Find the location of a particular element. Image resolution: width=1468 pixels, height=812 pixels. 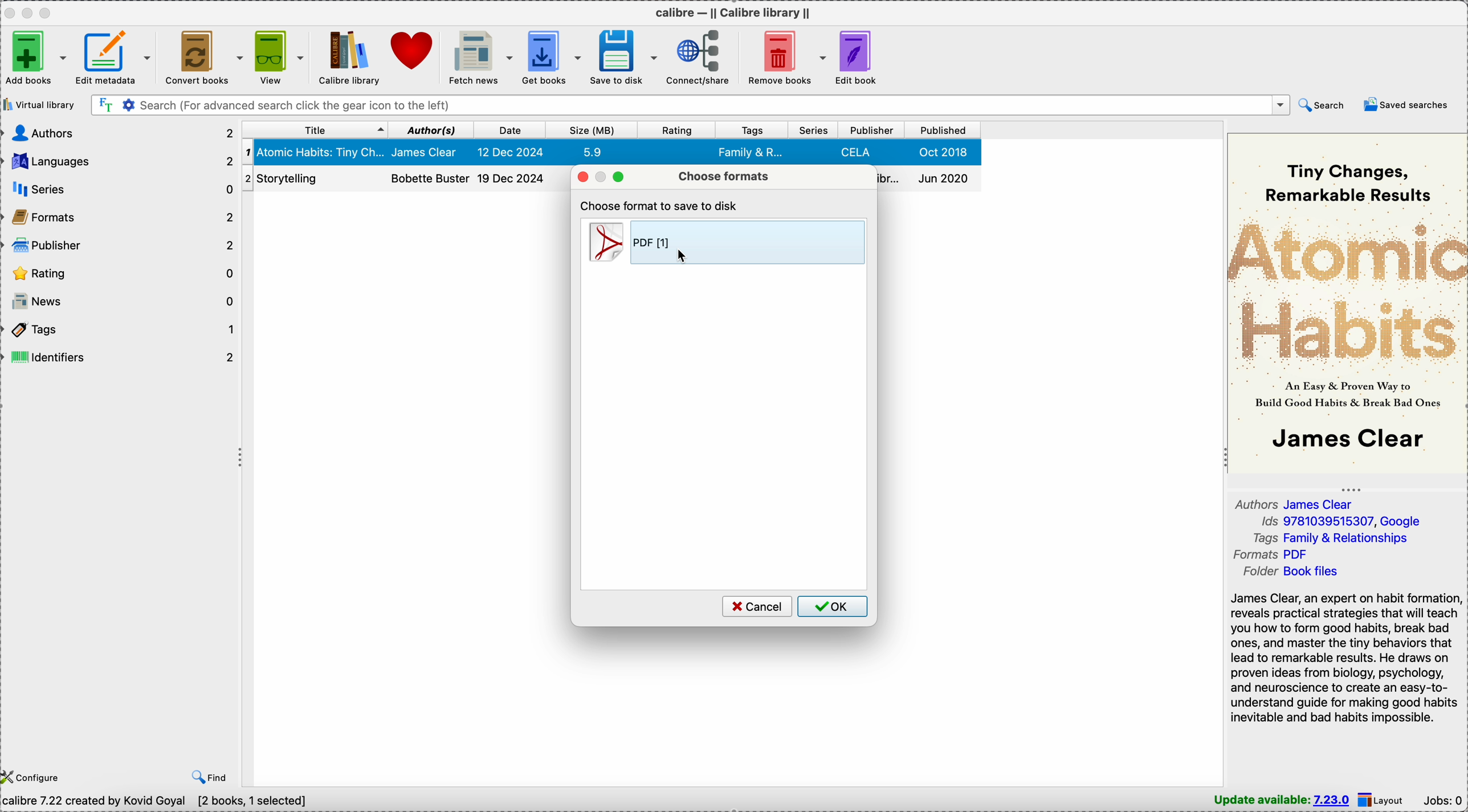

cursor is located at coordinates (684, 256).